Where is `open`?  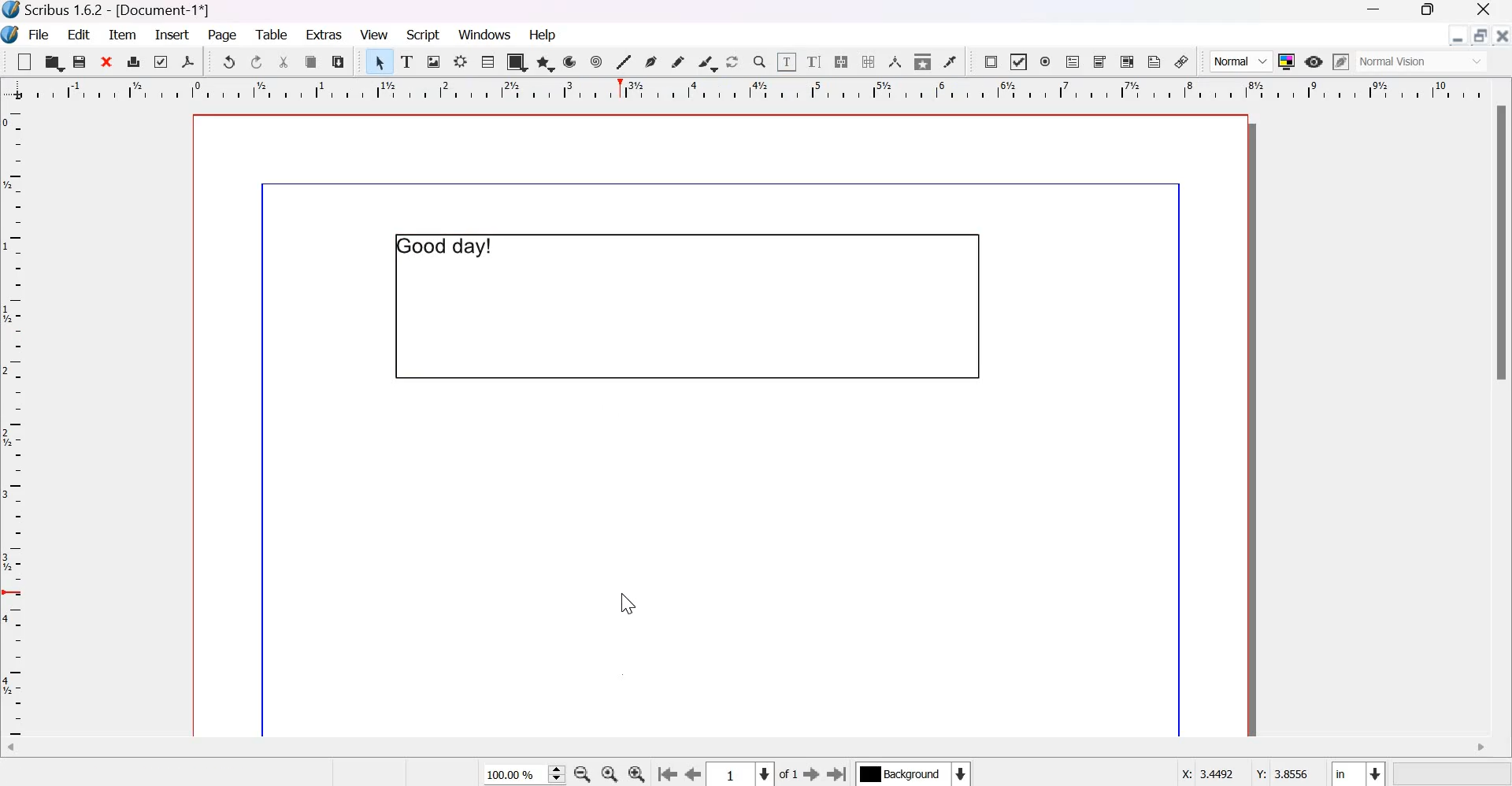 open is located at coordinates (53, 61).